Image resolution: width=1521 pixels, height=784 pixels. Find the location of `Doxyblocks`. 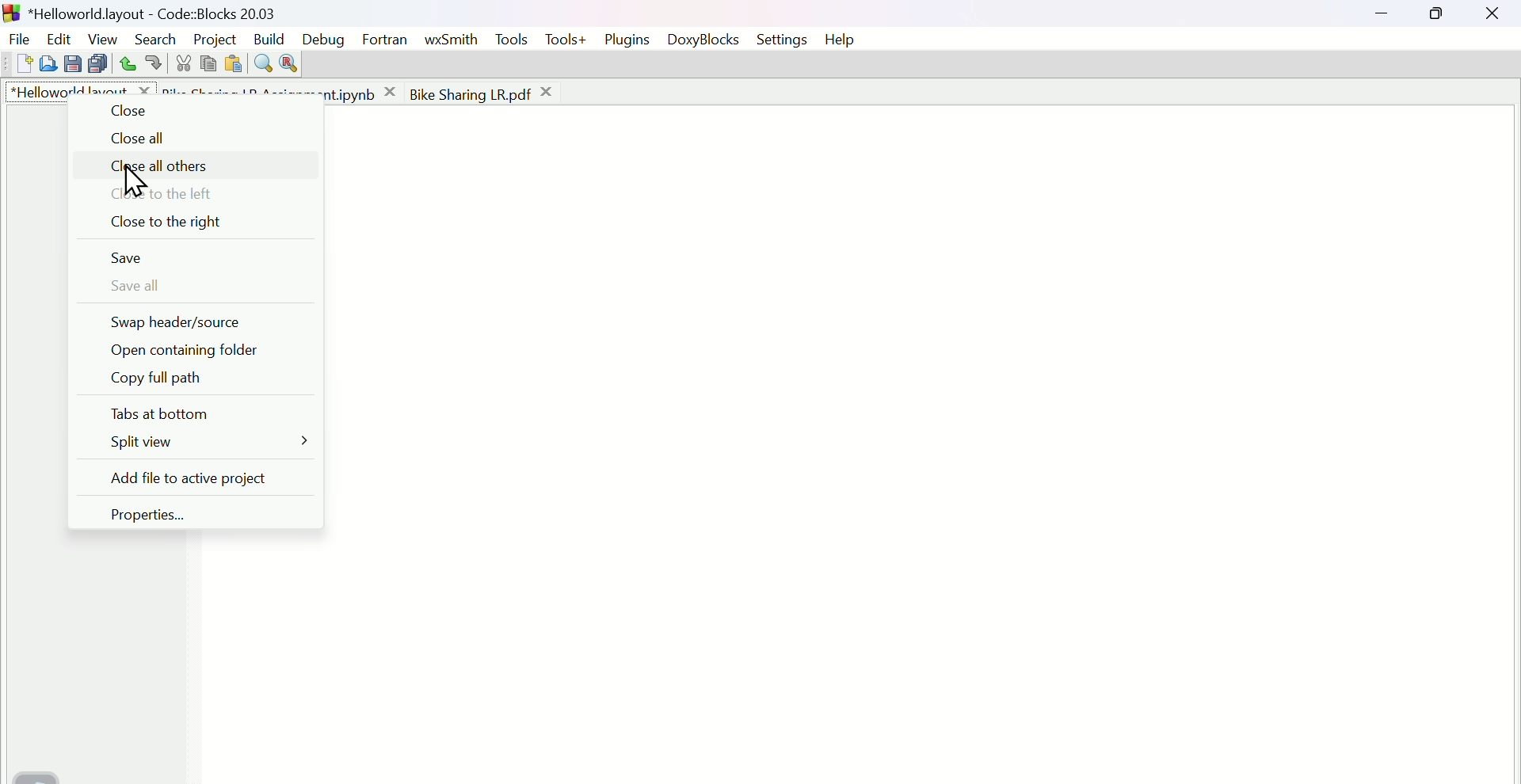

Doxyblocks is located at coordinates (709, 41).